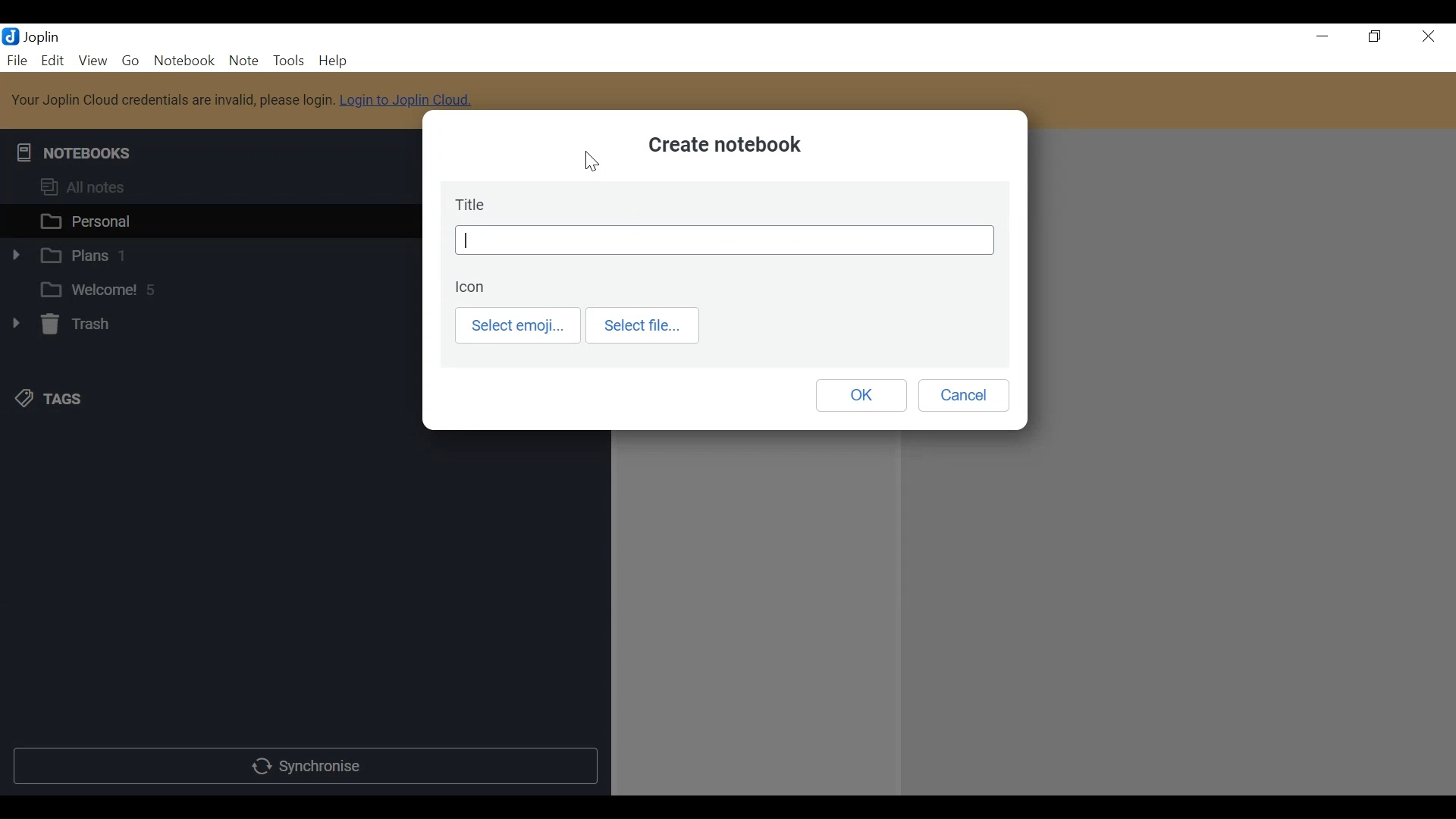 Image resolution: width=1456 pixels, height=819 pixels. I want to click on Trash, so click(59, 325).